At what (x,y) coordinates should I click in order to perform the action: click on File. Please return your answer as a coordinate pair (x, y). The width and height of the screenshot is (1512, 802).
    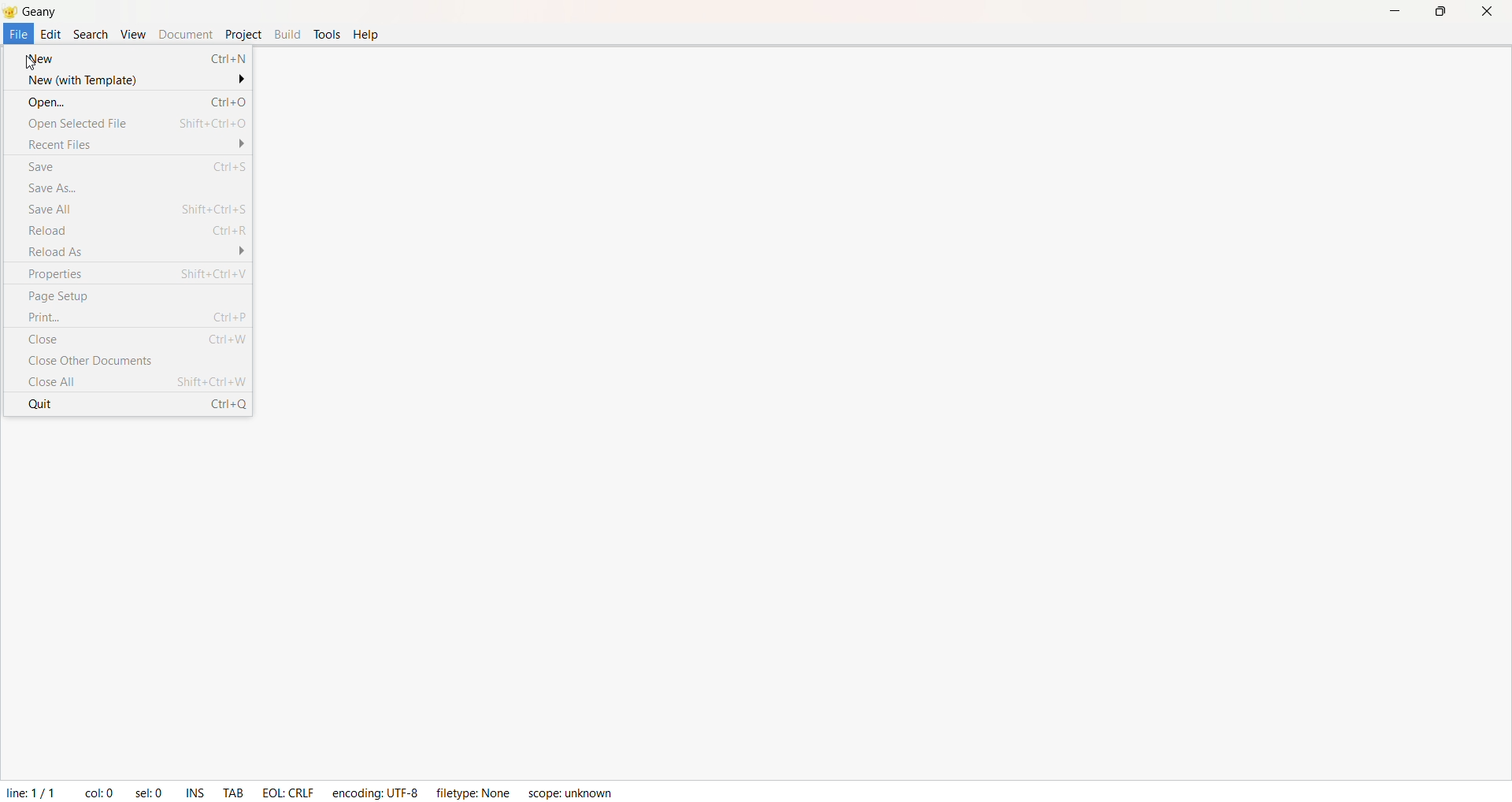
    Looking at the image, I should click on (20, 35).